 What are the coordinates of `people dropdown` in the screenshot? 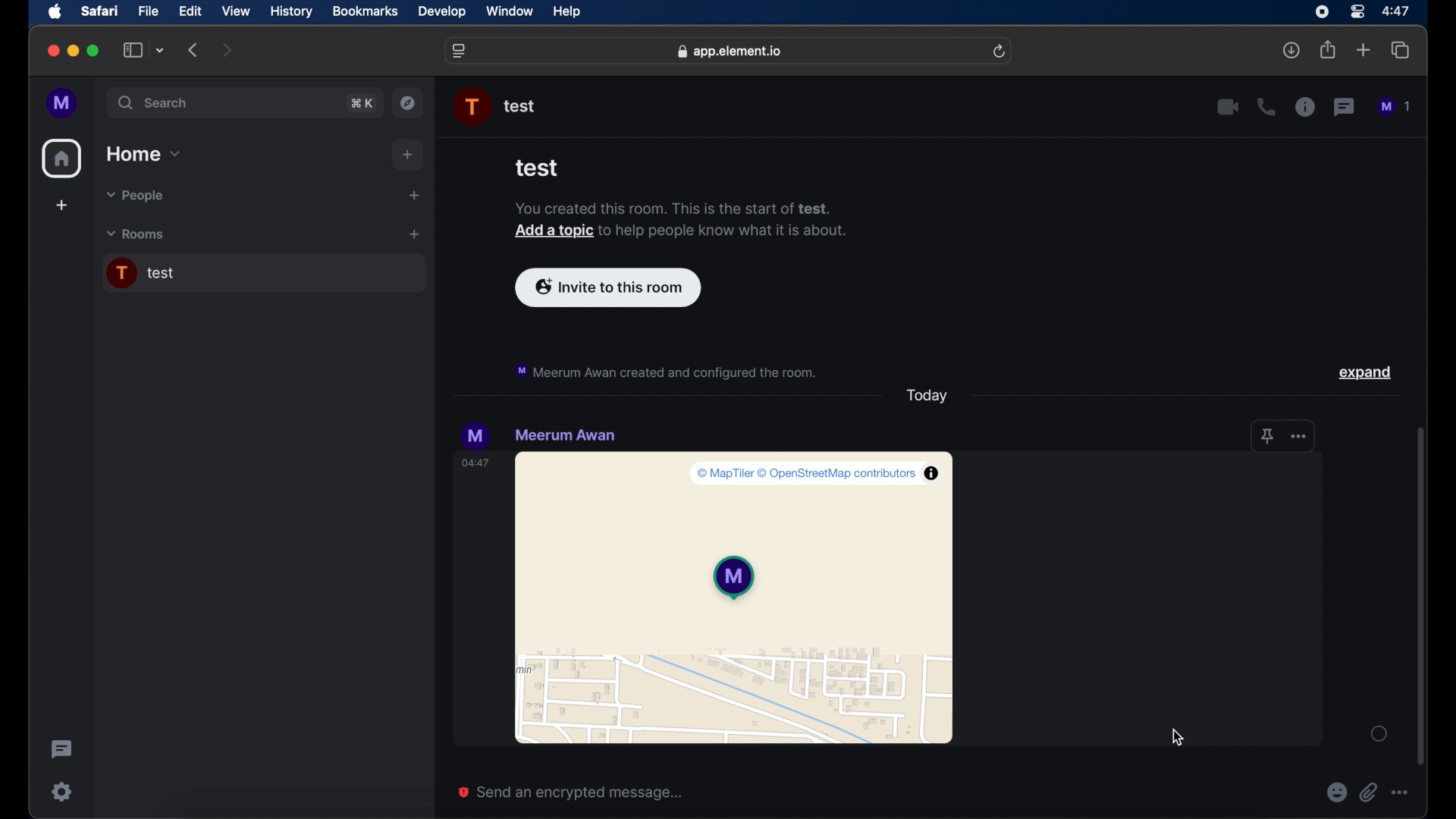 It's located at (133, 196).